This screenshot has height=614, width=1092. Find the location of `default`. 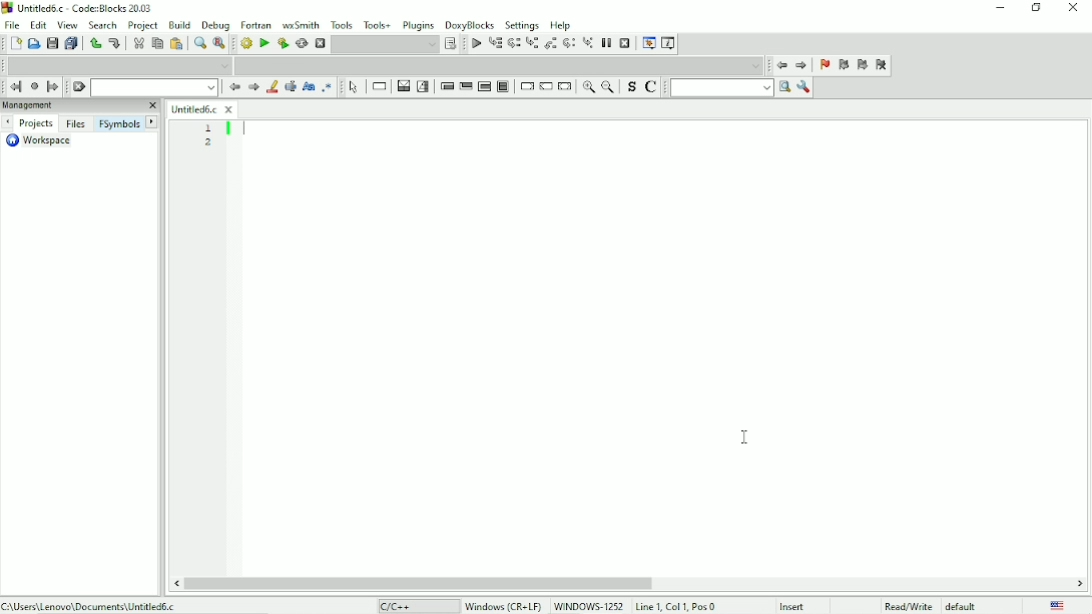

default is located at coordinates (963, 605).